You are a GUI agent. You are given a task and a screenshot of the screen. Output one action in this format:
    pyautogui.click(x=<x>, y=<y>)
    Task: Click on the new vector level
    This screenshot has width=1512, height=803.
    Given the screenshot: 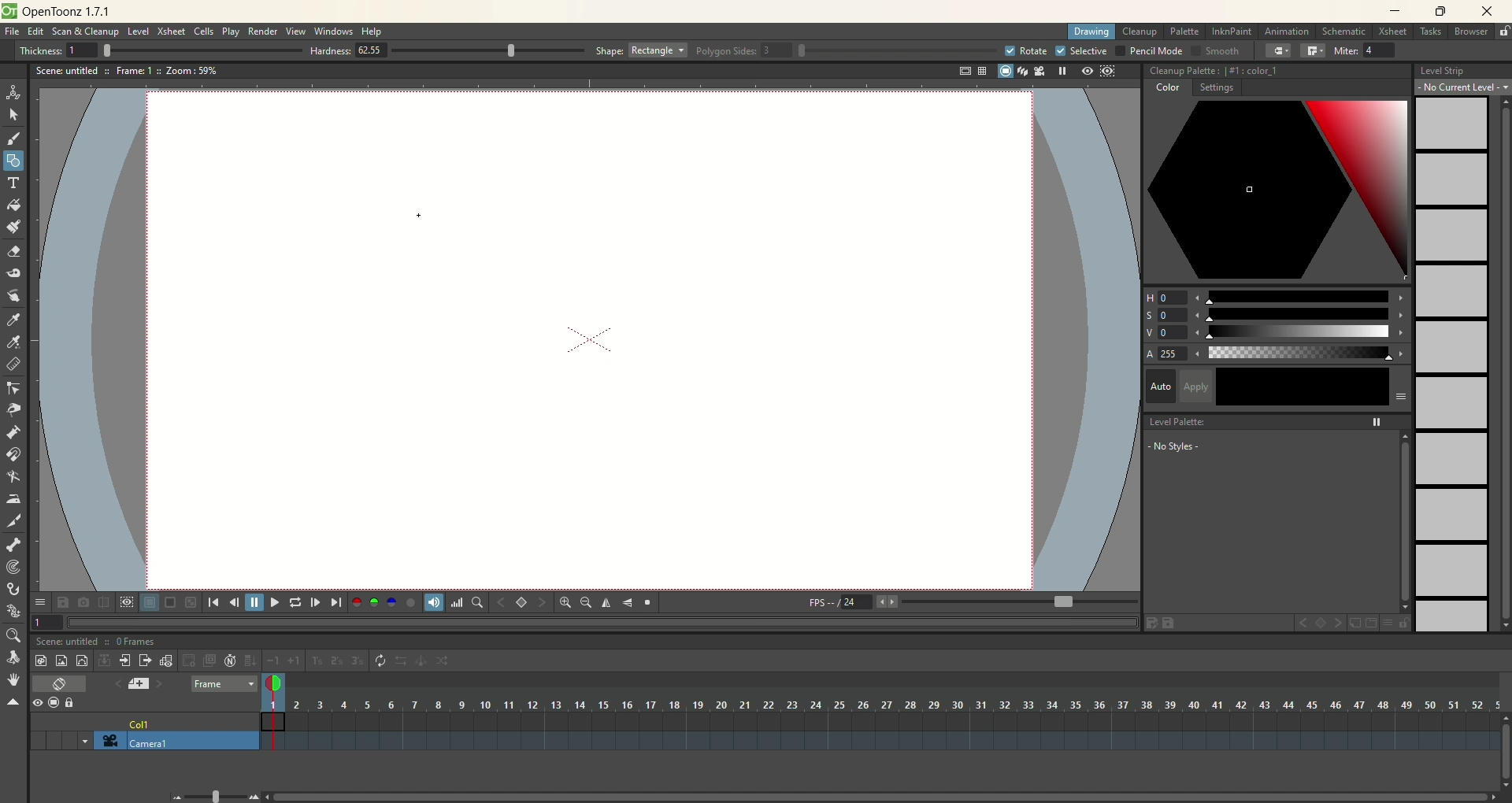 What is the action you would take?
    pyautogui.click(x=82, y=661)
    